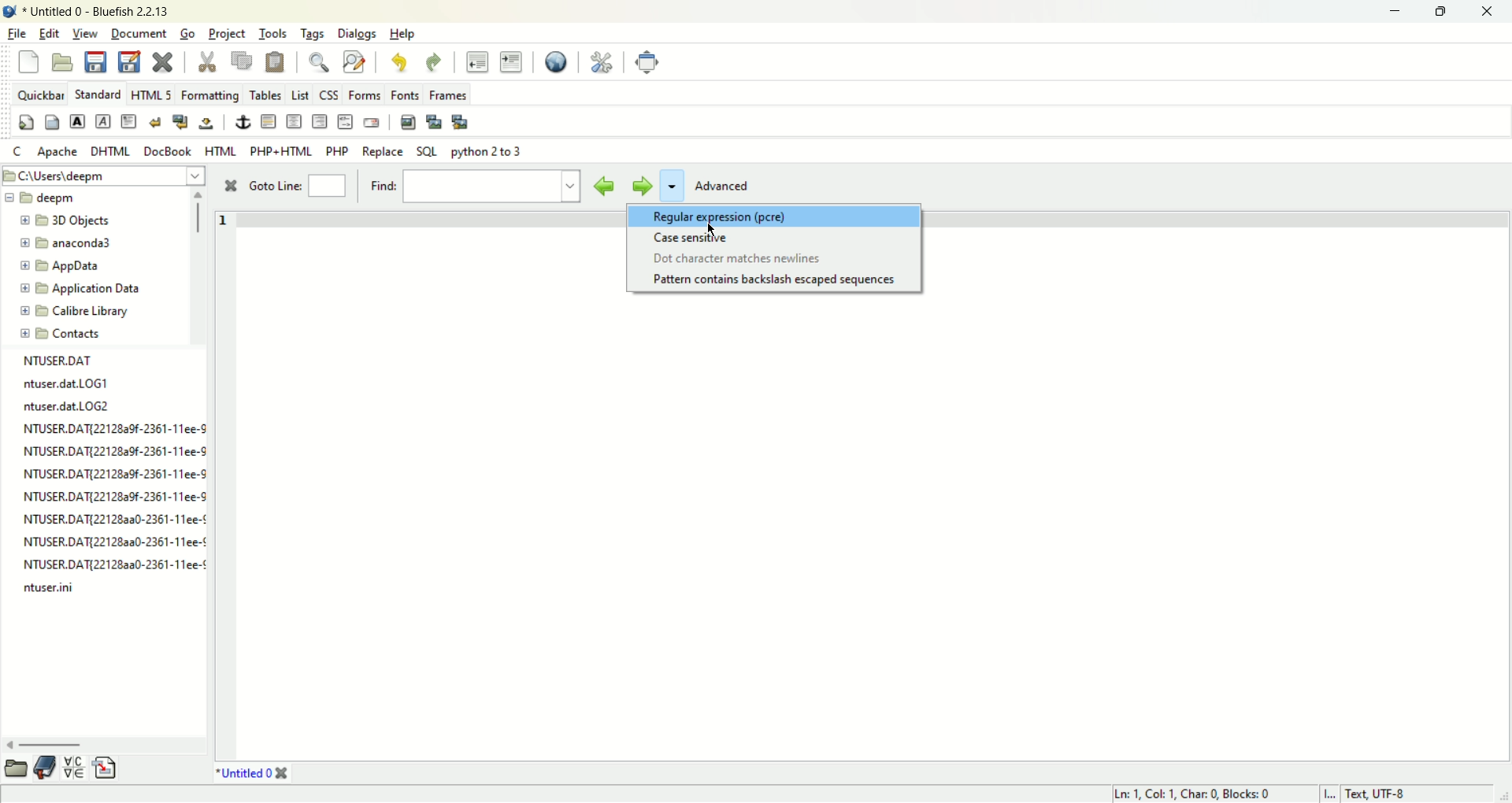 This screenshot has width=1512, height=803. I want to click on LIST, so click(298, 94).